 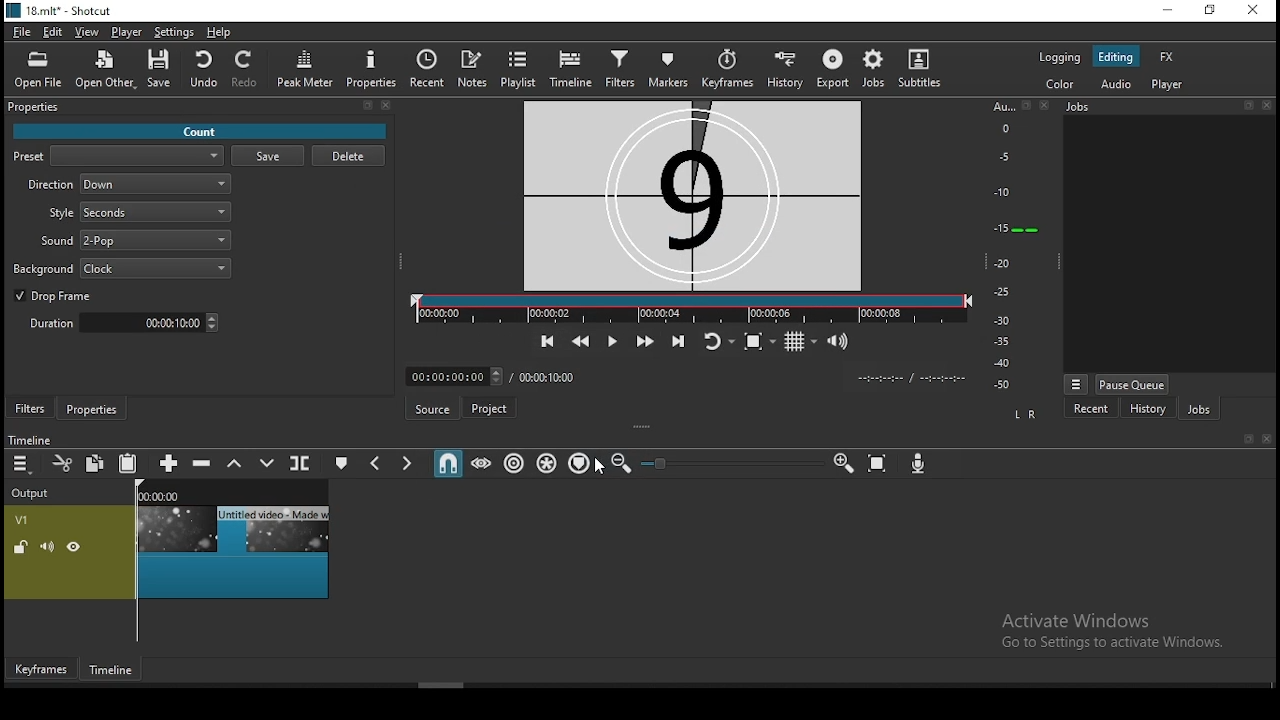 What do you see at coordinates (1059, 86) in the screenshot?
I see `color` at bounding box center [1059, 86].